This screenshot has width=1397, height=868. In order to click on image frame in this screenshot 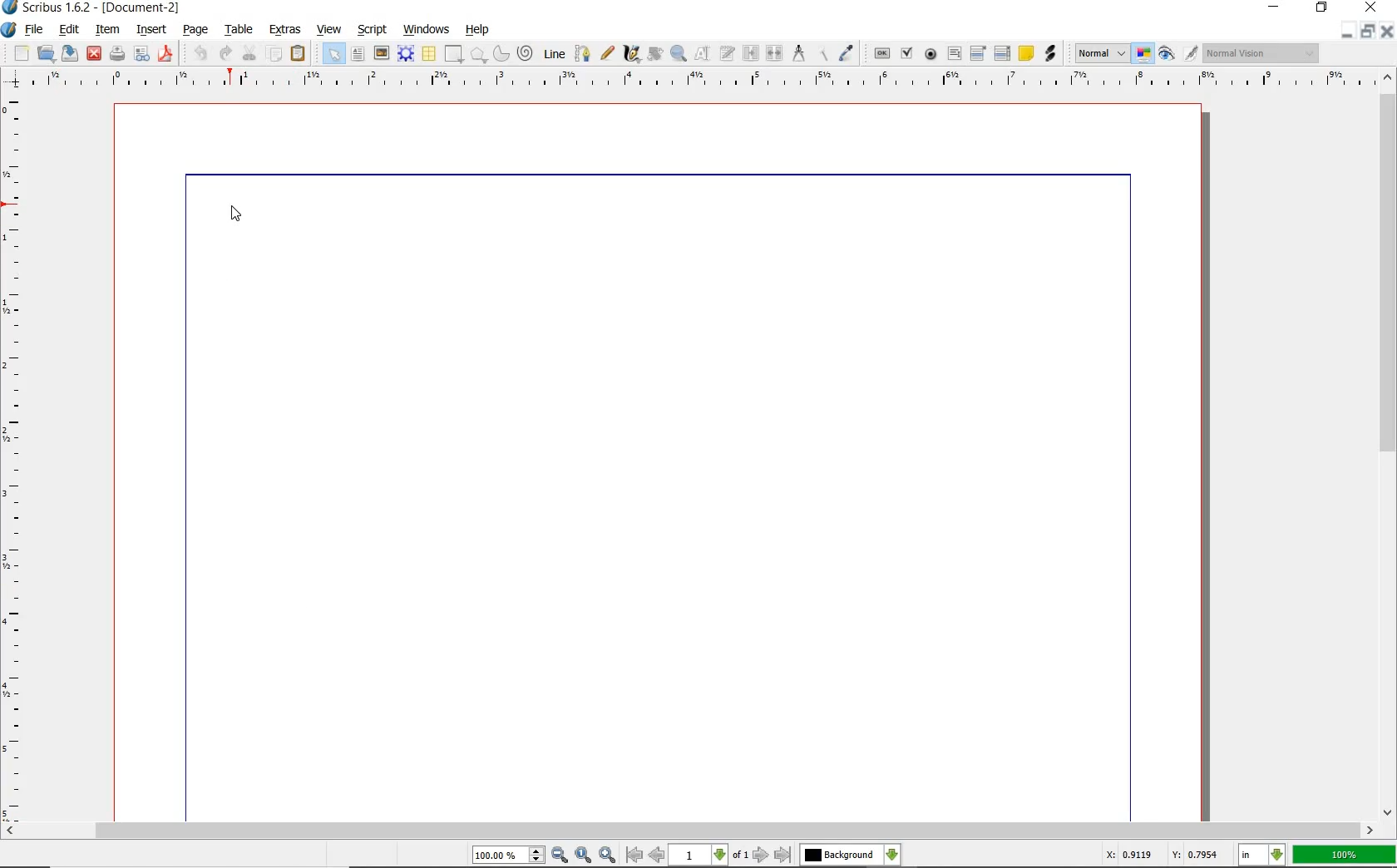, I will do `click(380, 54)`.